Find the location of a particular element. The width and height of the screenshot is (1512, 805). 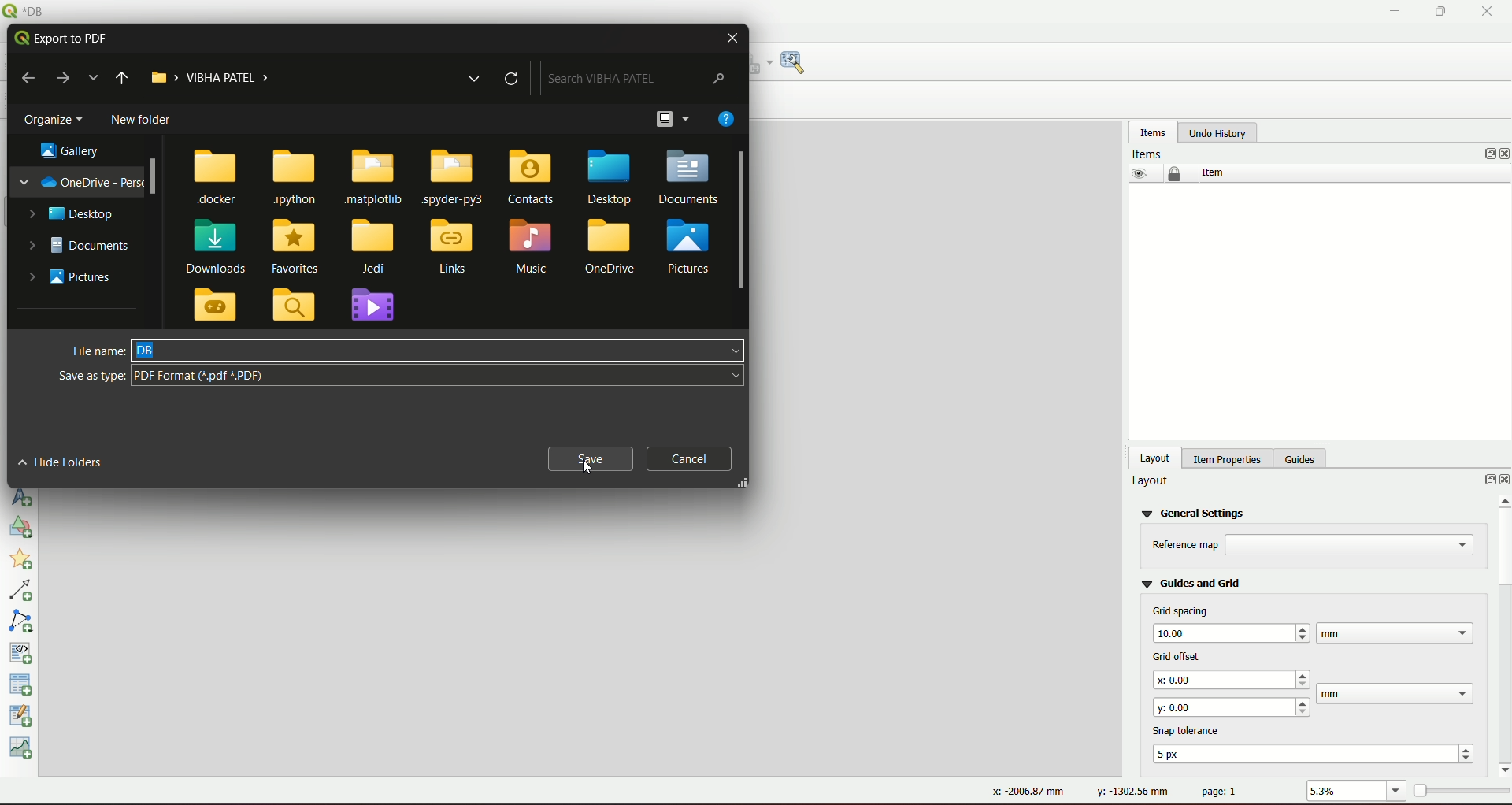

add HTML is located at coordinates (23, 651).